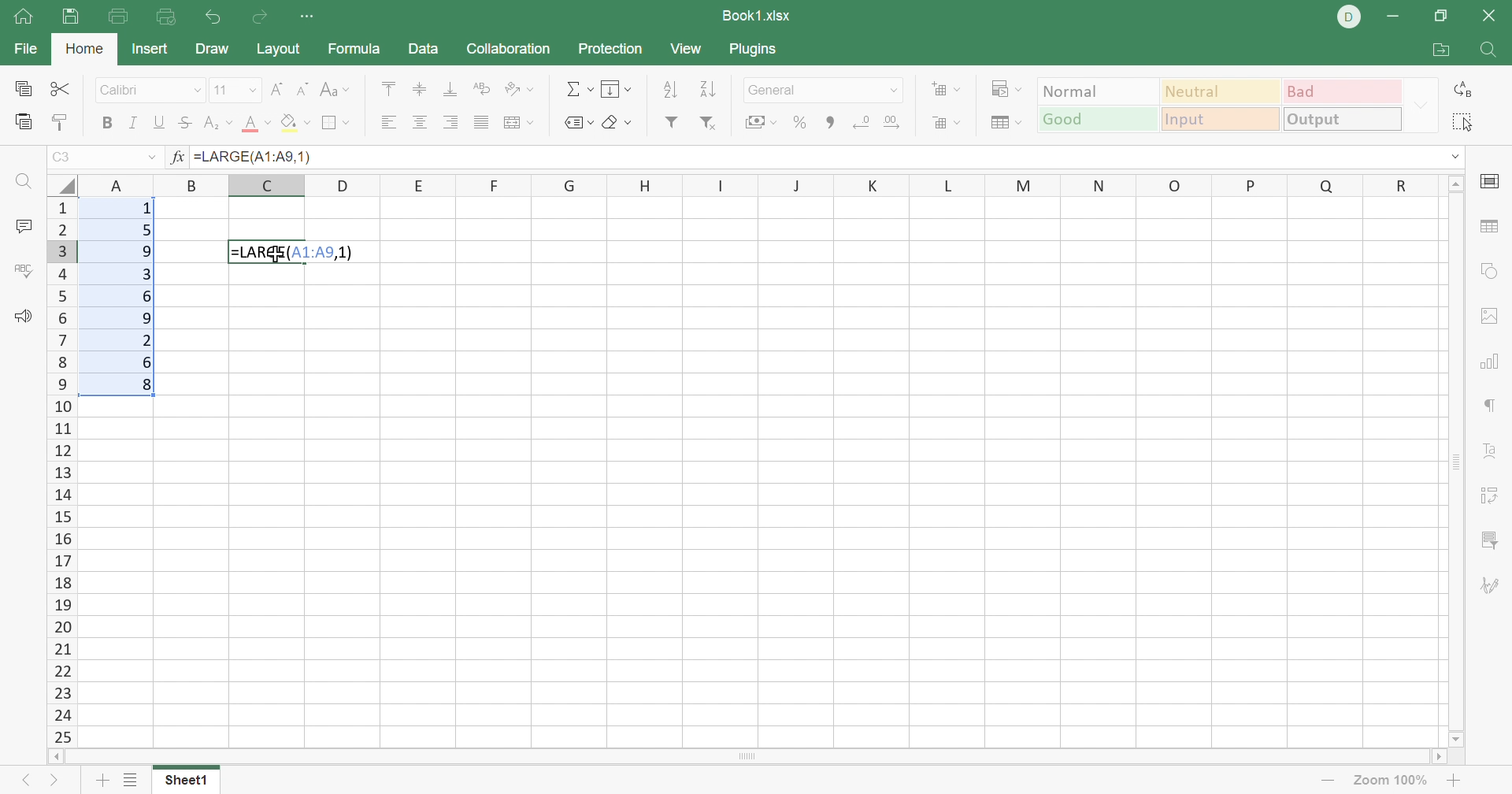 This screenshot has width=1512, height=794. I want to click on Find, so click(1490, 53).